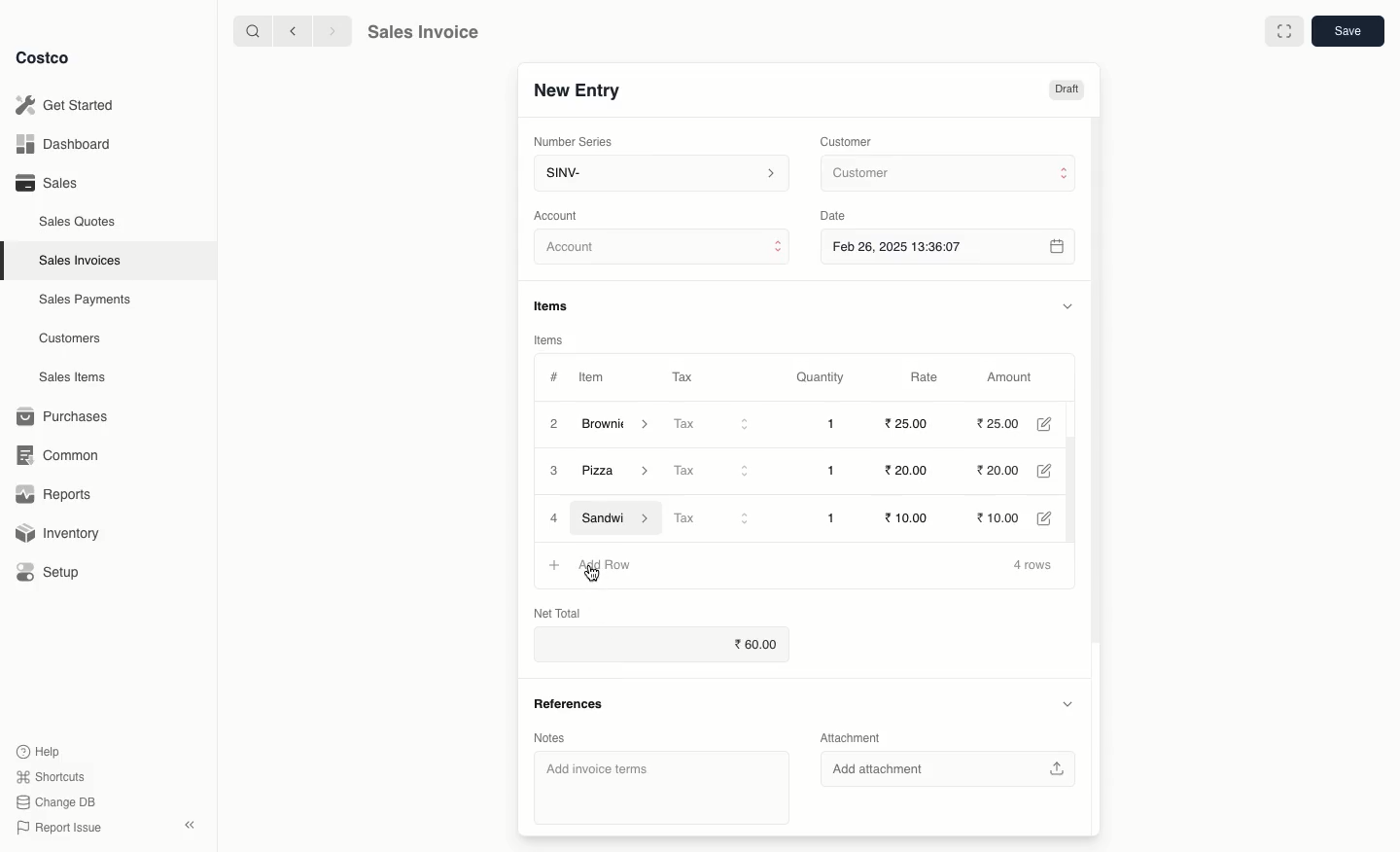  What do you see at coordinates (552, 423) in the screenshot?
I see `2` at bounding box center [552, 423].